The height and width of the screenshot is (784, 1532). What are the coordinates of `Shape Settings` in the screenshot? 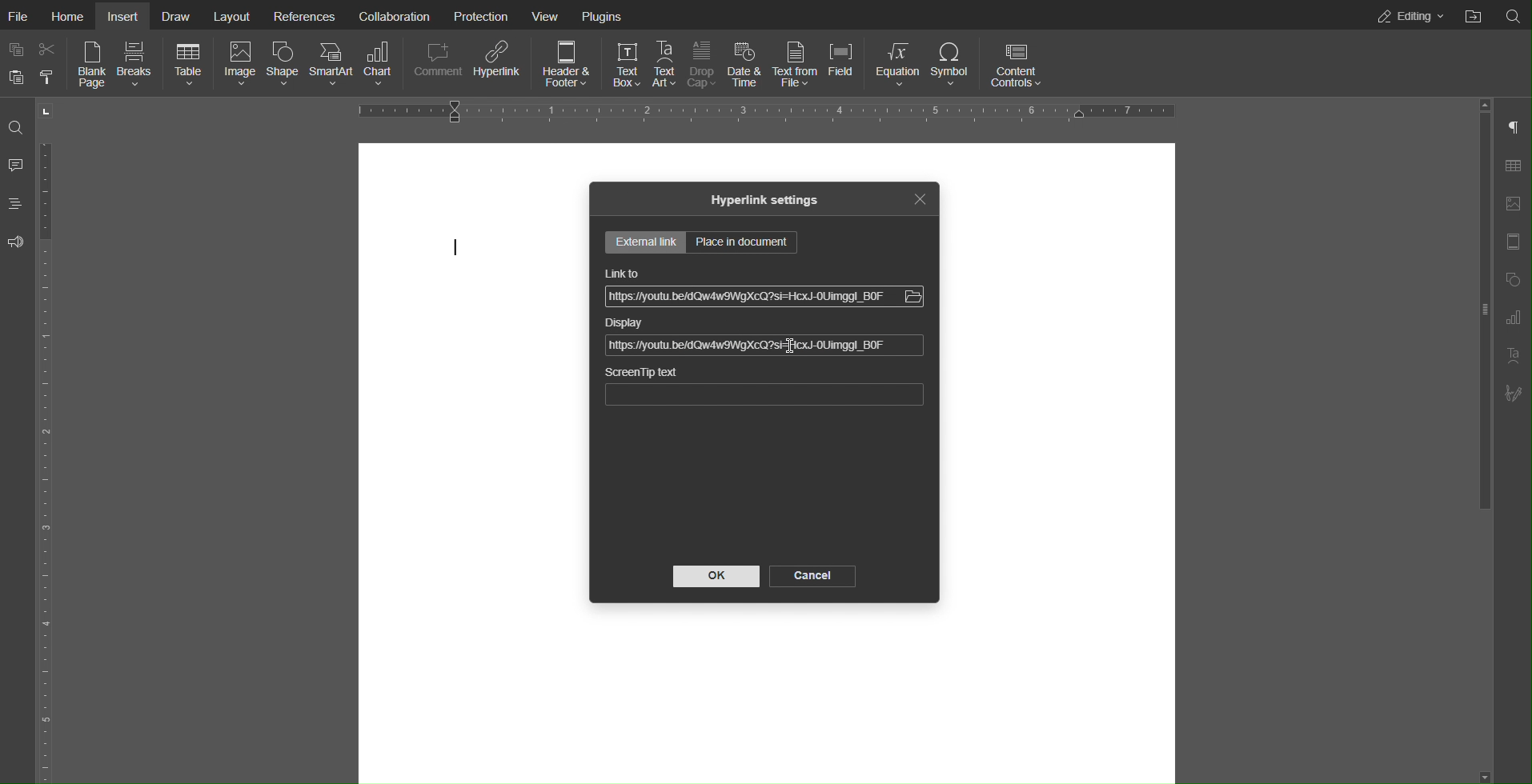 It's located at (1512, 279).